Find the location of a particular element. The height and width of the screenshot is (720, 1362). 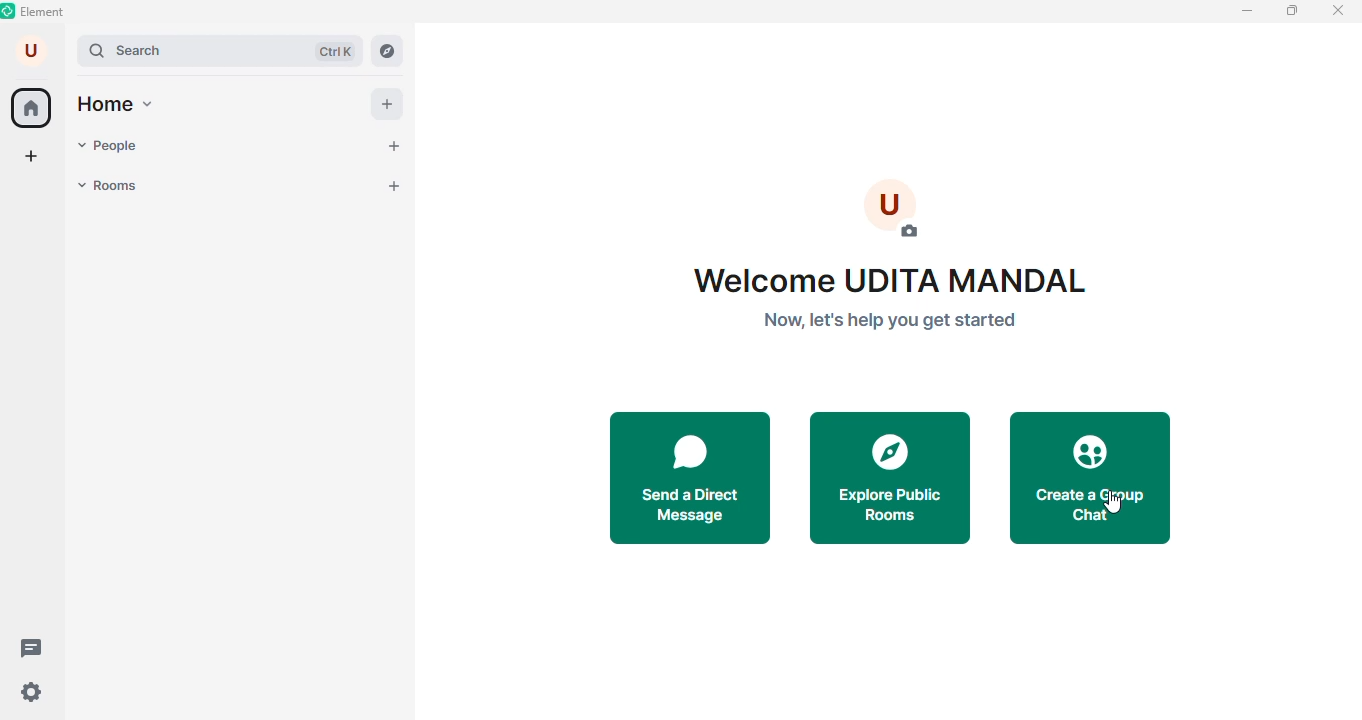

account is located at coordinates (32, 52).